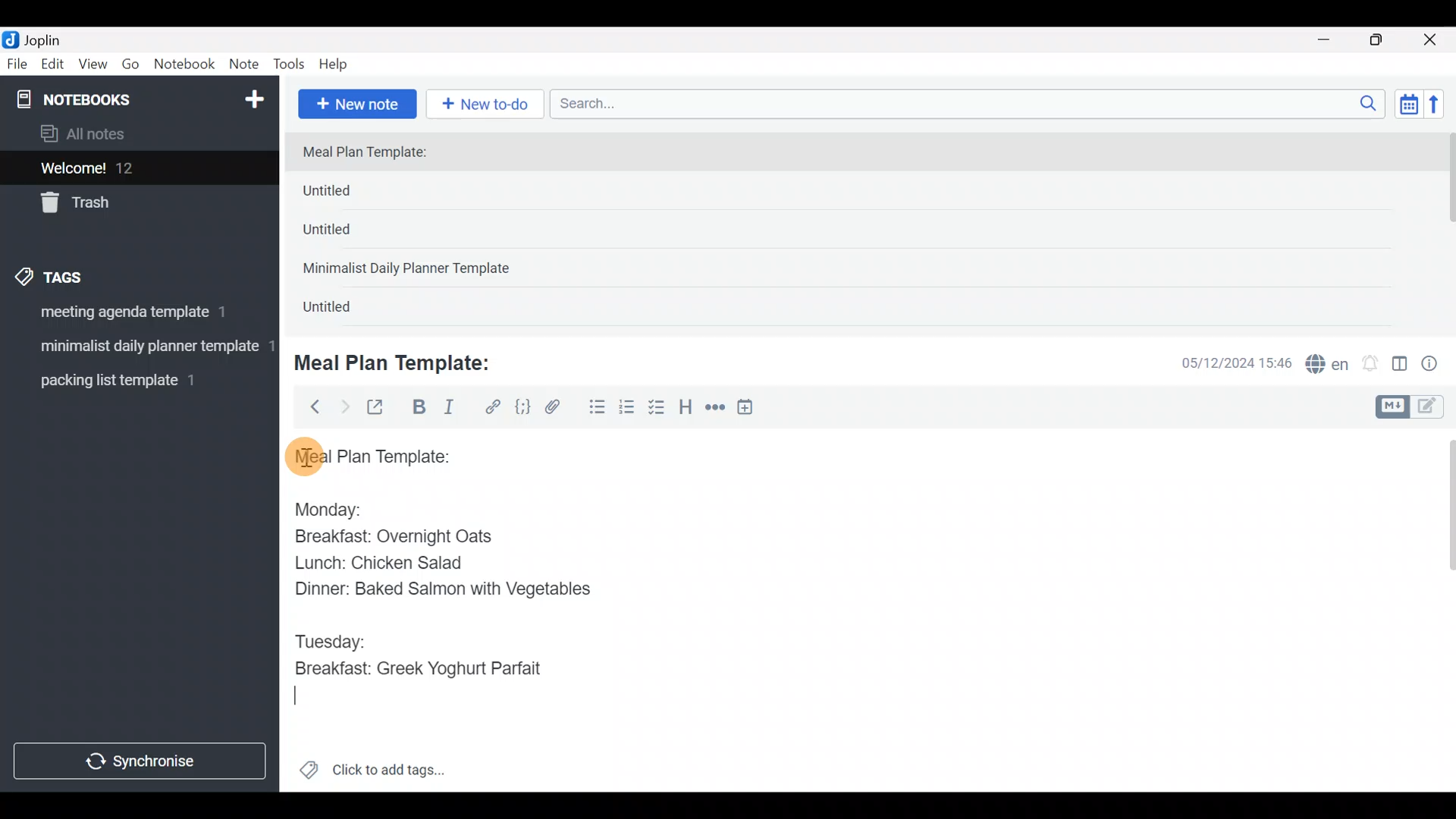  Describe the element at coordinates (290, 65) in the screenshot. I see `Tools` at that location.